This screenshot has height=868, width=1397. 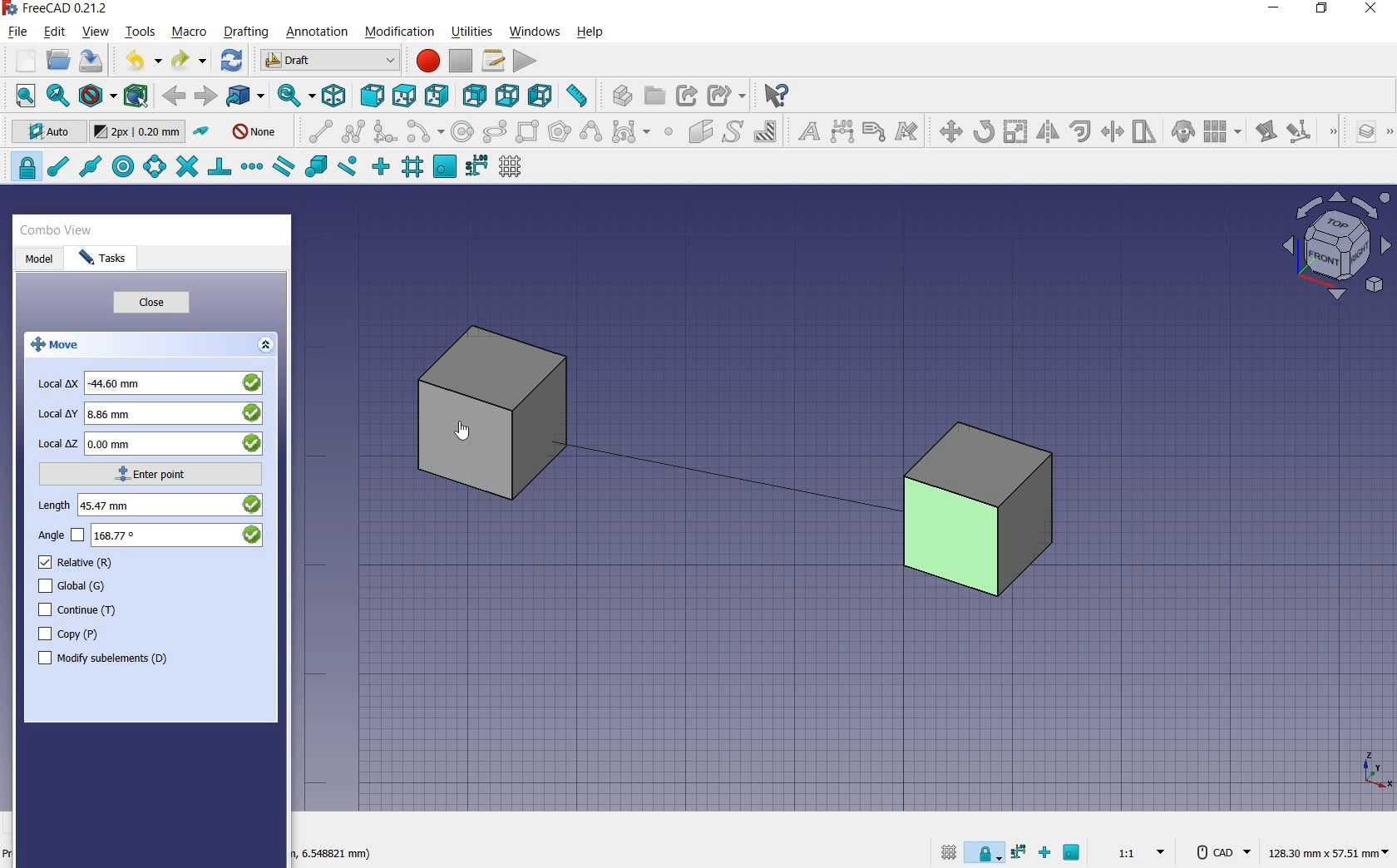 What do you see at coordinates (1073, 853) in the screenshot?
I see `snap working plane` at bounding box center [1073, 853].